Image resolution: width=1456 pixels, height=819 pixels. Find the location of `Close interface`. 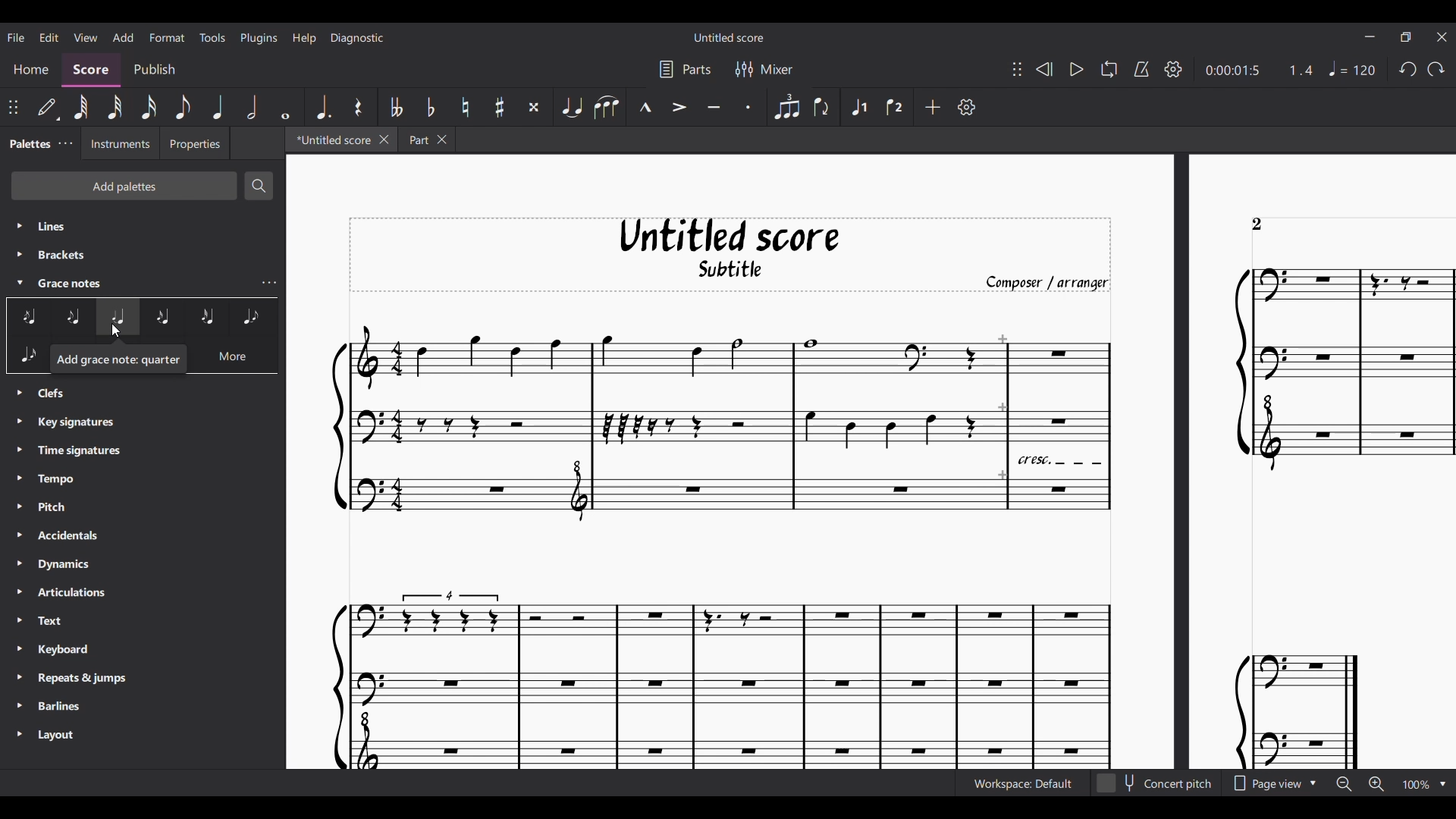

Close interface is located at coordinates (1442, 37).